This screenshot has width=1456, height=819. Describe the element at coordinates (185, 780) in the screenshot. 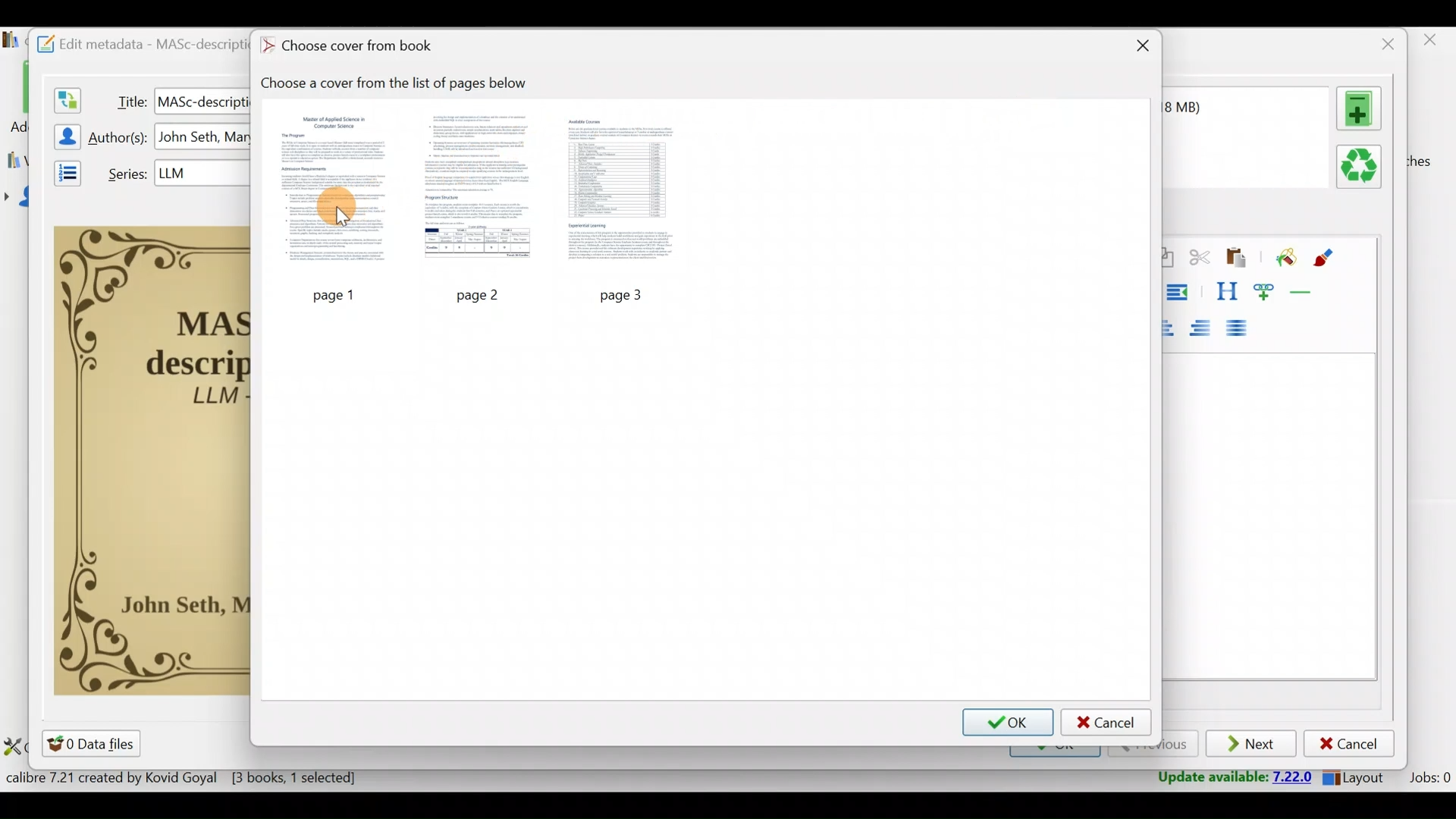

I see `Books count` at that location.